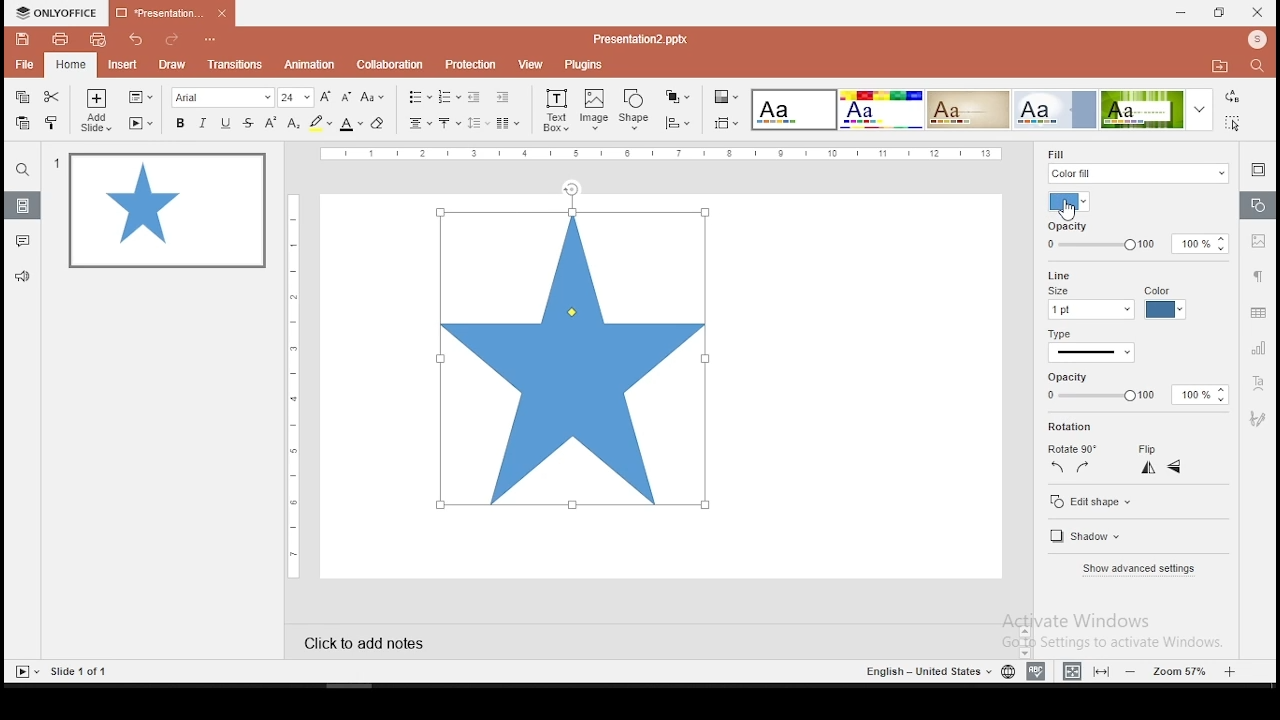  What do you see at coordinates (1257, 275) in the screenshot?
I see `paragraph settings` at bounding box center [1257, 275].